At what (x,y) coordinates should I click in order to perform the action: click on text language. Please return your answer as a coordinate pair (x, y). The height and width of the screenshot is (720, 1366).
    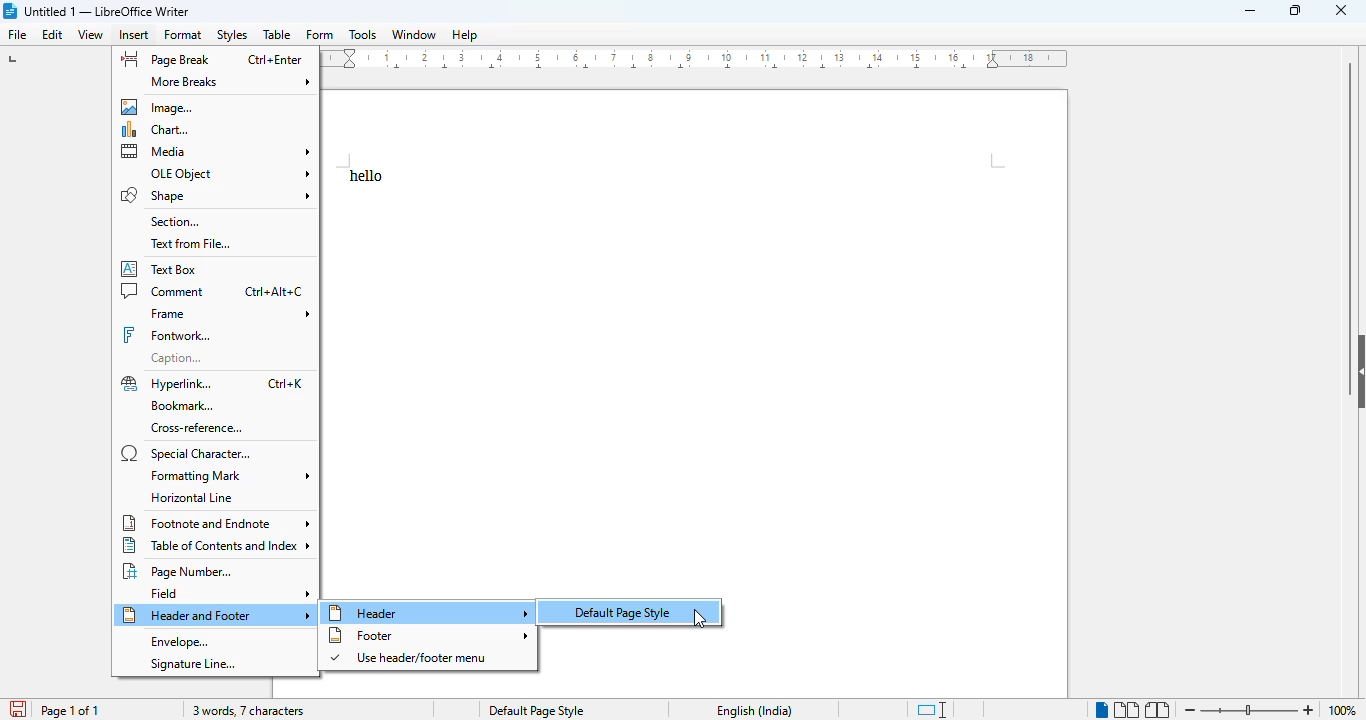
    Looking at the image, I should click on (755, 711).